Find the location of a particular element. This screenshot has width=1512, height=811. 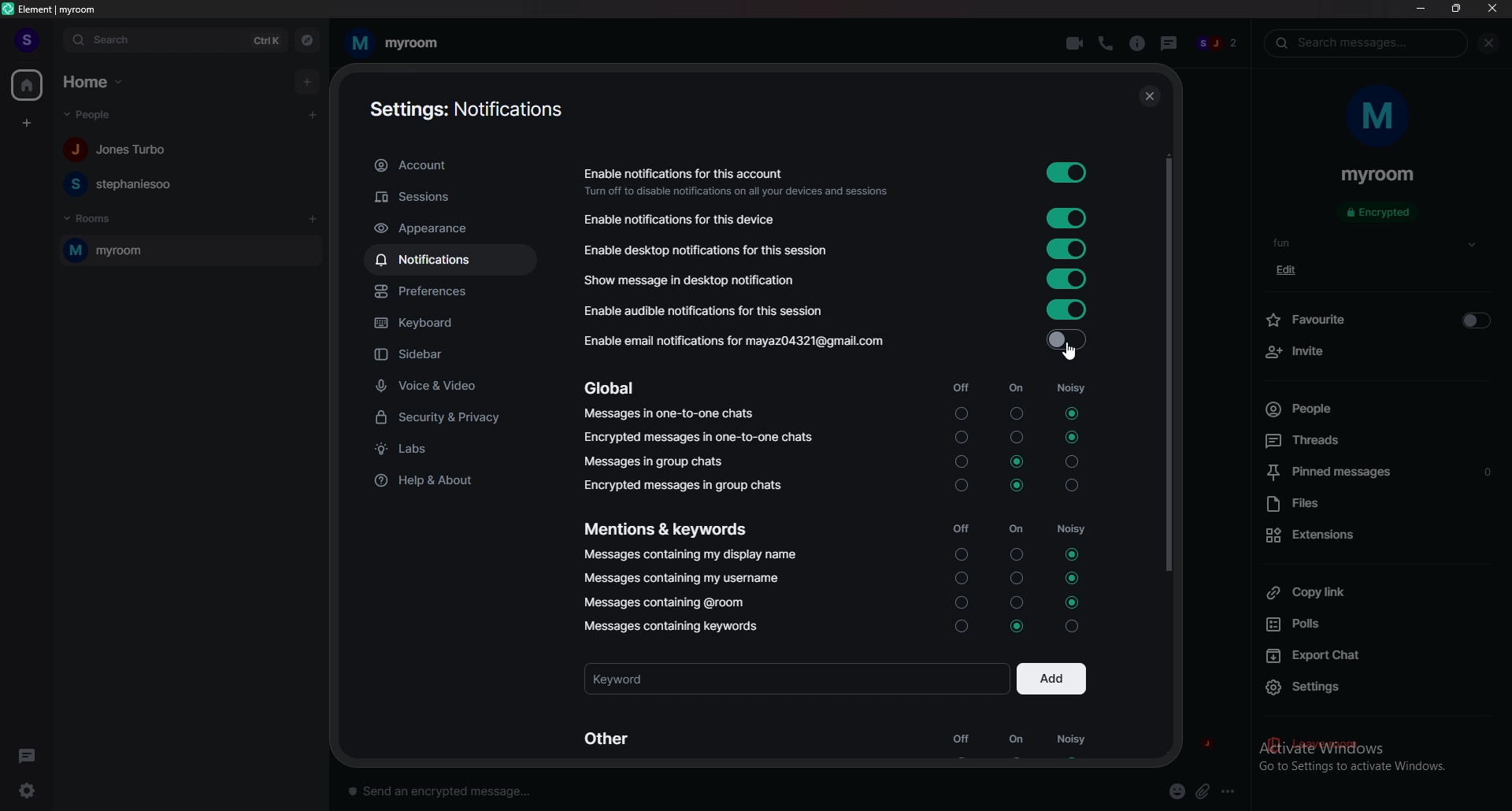

keyboard is located at coordinates (454, 324).